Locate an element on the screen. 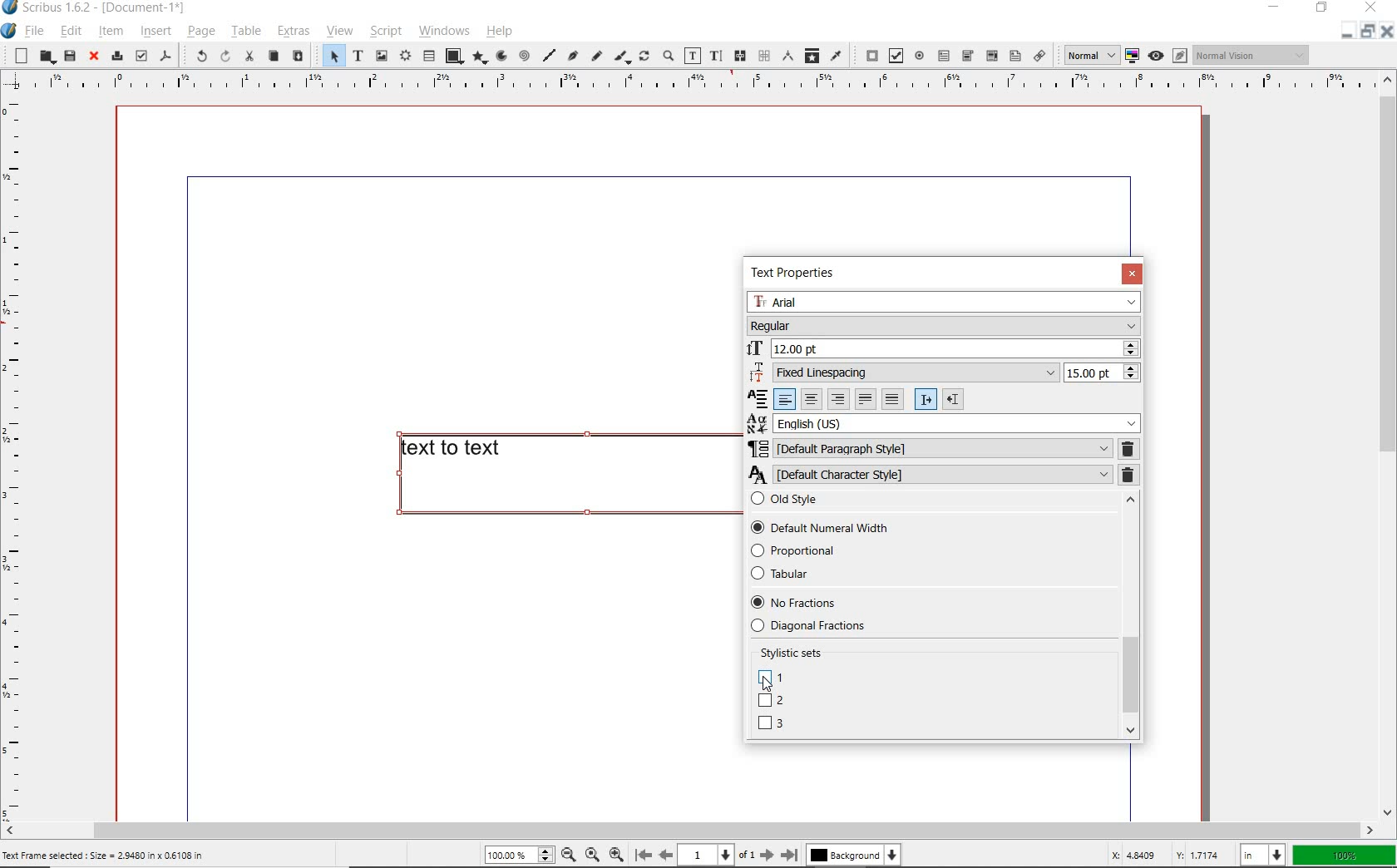 The width and height of the screenshot is (1397, 868). pdf radio button is located at coordinates (920, 57).